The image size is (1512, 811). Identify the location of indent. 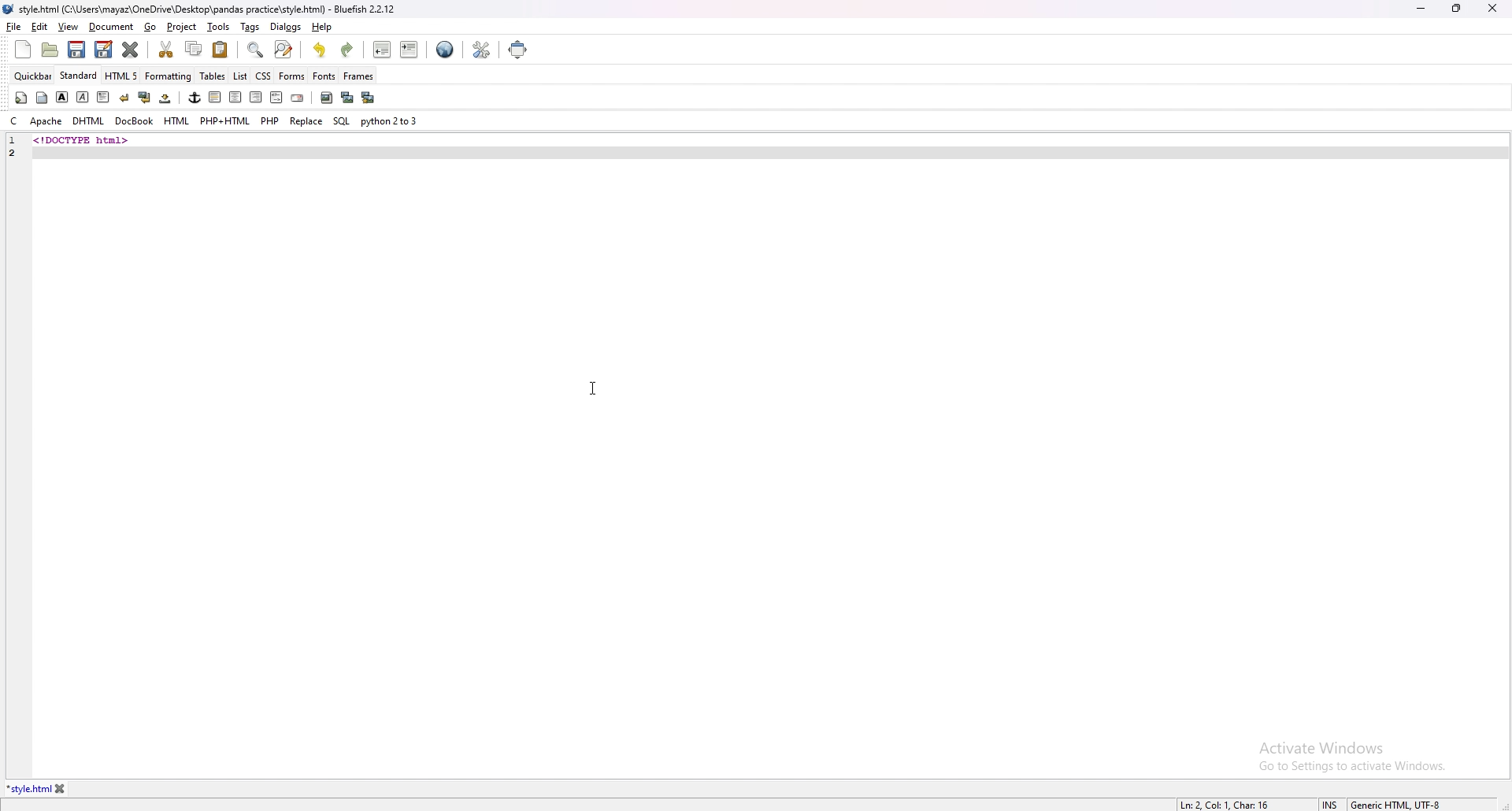
(409, 49).